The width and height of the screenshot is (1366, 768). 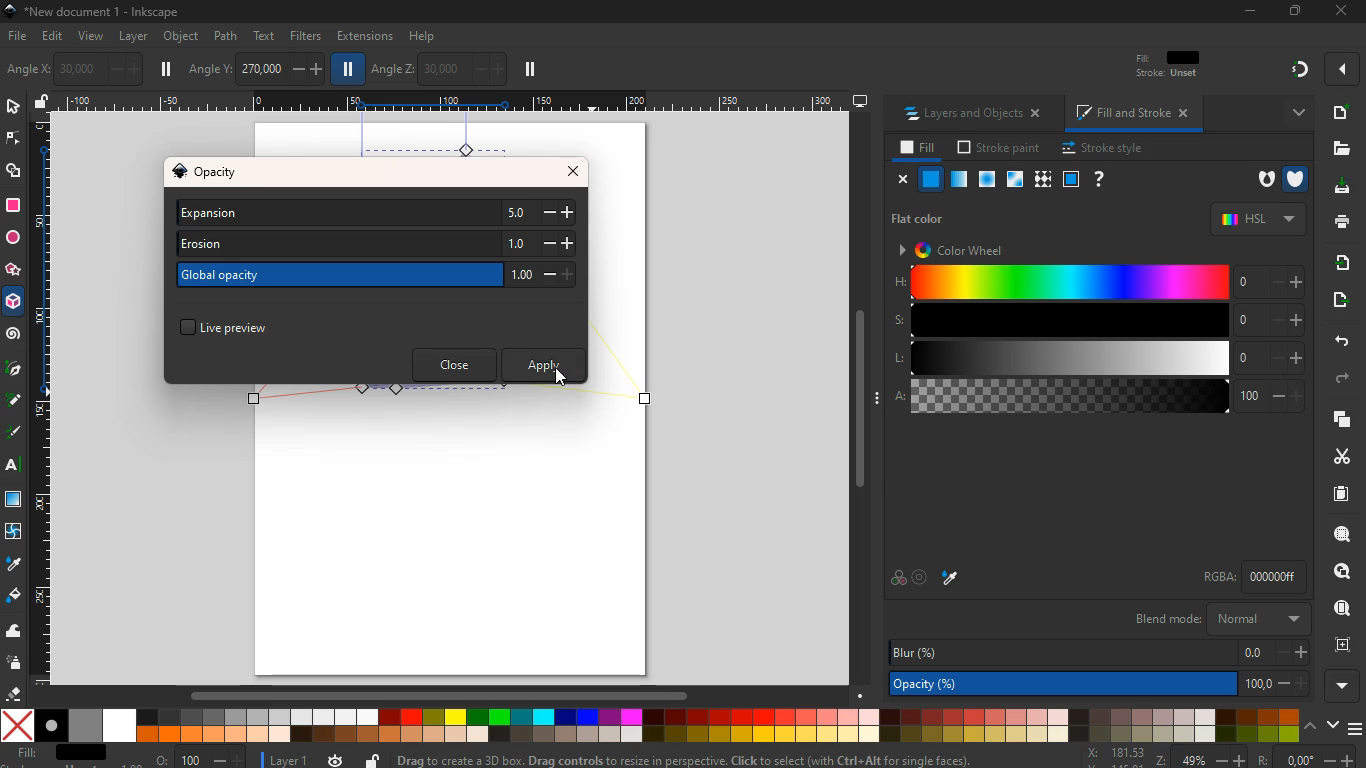 I want to click on help, so click(x=1100, y=179).